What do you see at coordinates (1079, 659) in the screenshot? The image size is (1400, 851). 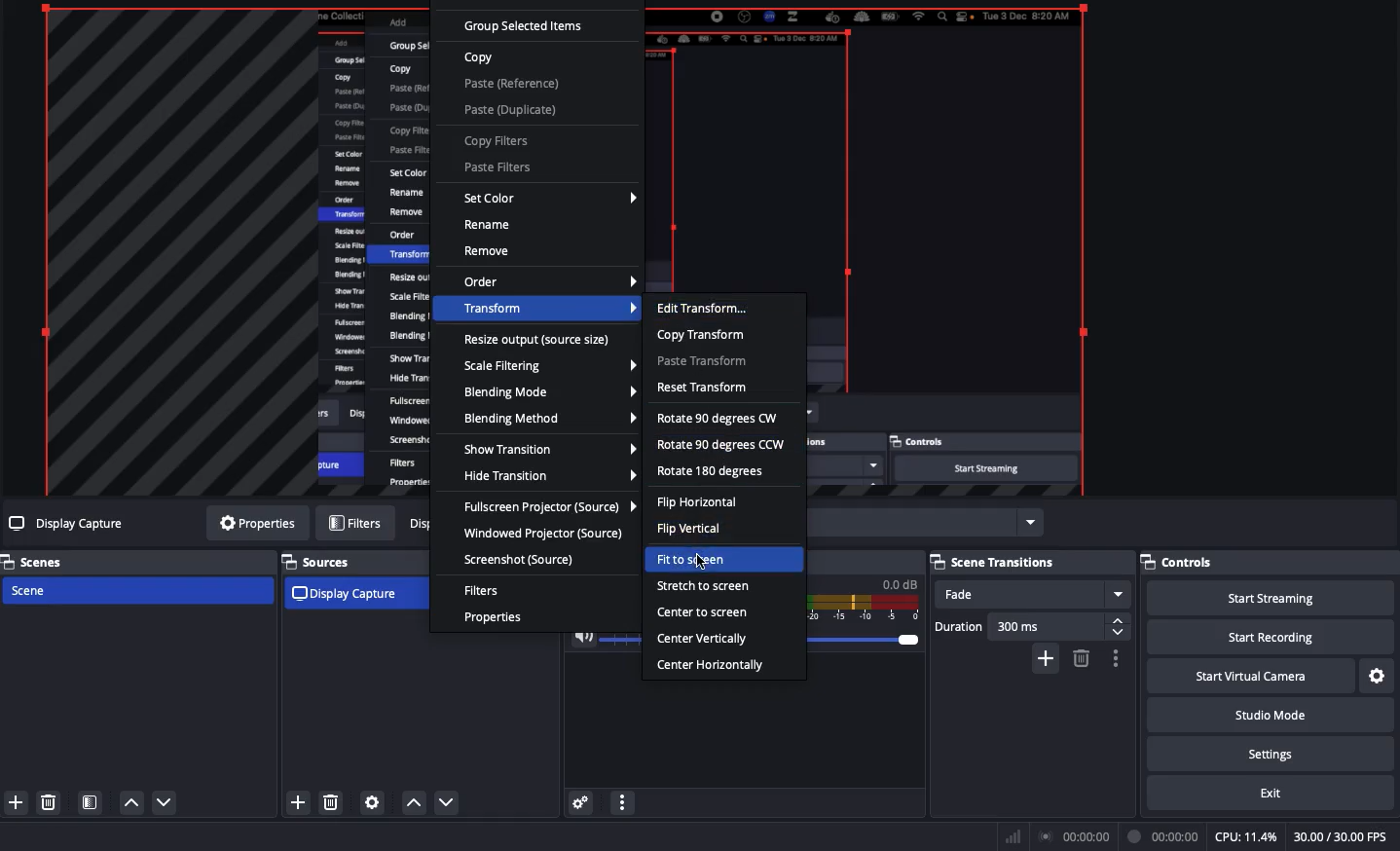 I see `delete` at bounding box center [1079, 659].